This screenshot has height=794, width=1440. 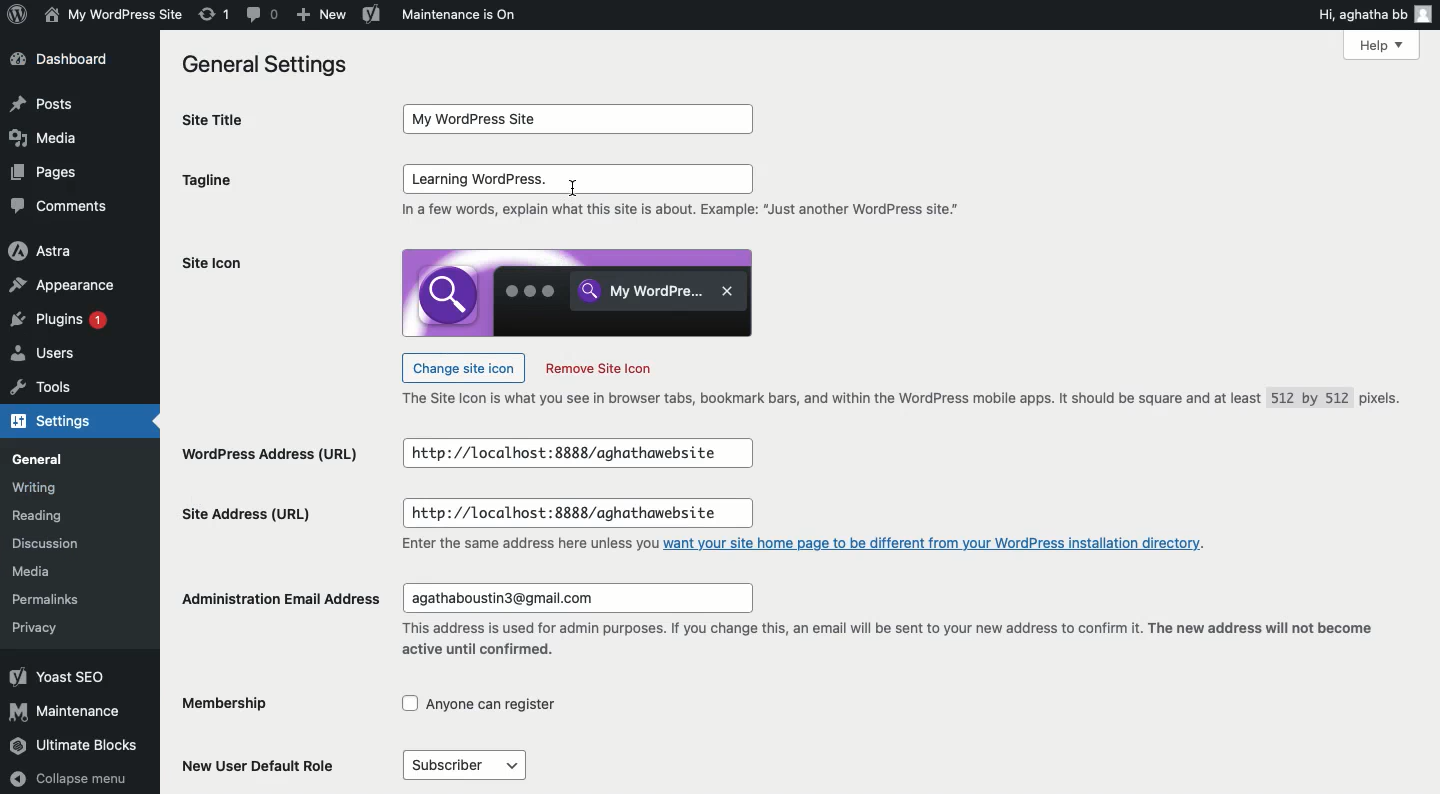 What do you see at coordinates (677, 208) in the screenshot?
I see `In a few words, explain what this site is about. Example: “Just another WordPress site”` at bounding box center [677, 208].